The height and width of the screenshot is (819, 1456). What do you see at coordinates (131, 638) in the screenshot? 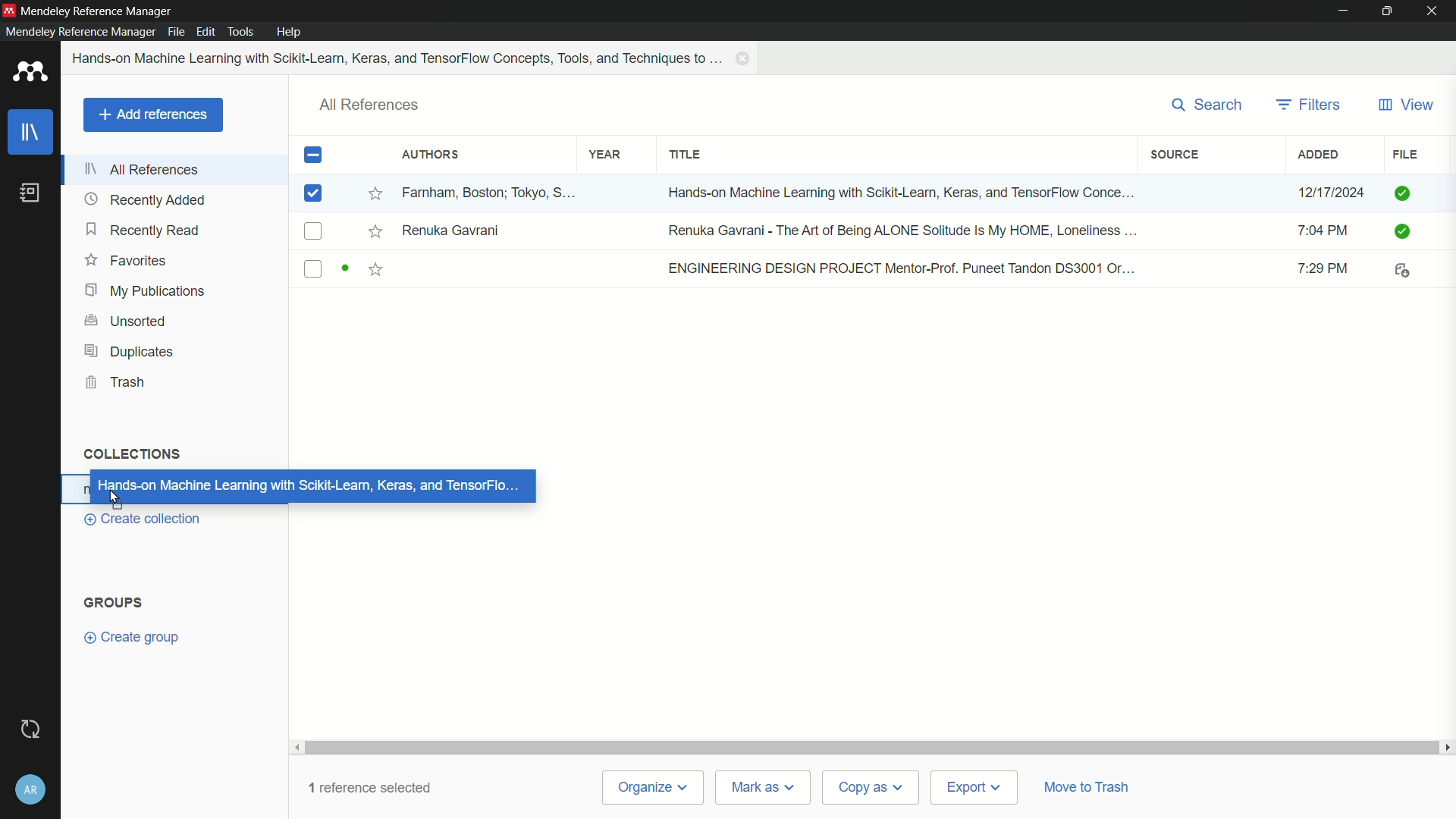
I see `create group` at bounding box center [131, 638].